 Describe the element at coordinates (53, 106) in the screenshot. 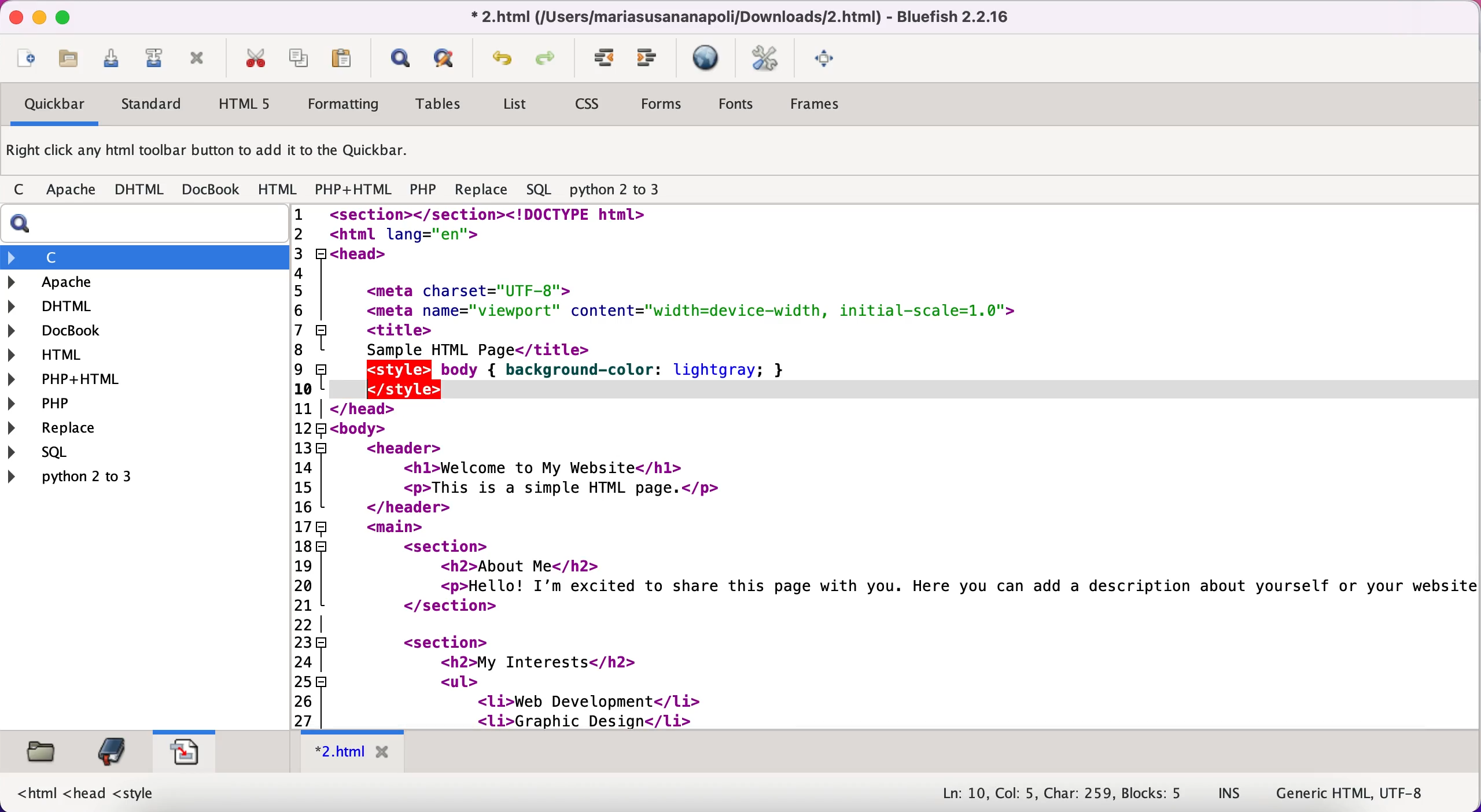

I see `quickbar` at that location.